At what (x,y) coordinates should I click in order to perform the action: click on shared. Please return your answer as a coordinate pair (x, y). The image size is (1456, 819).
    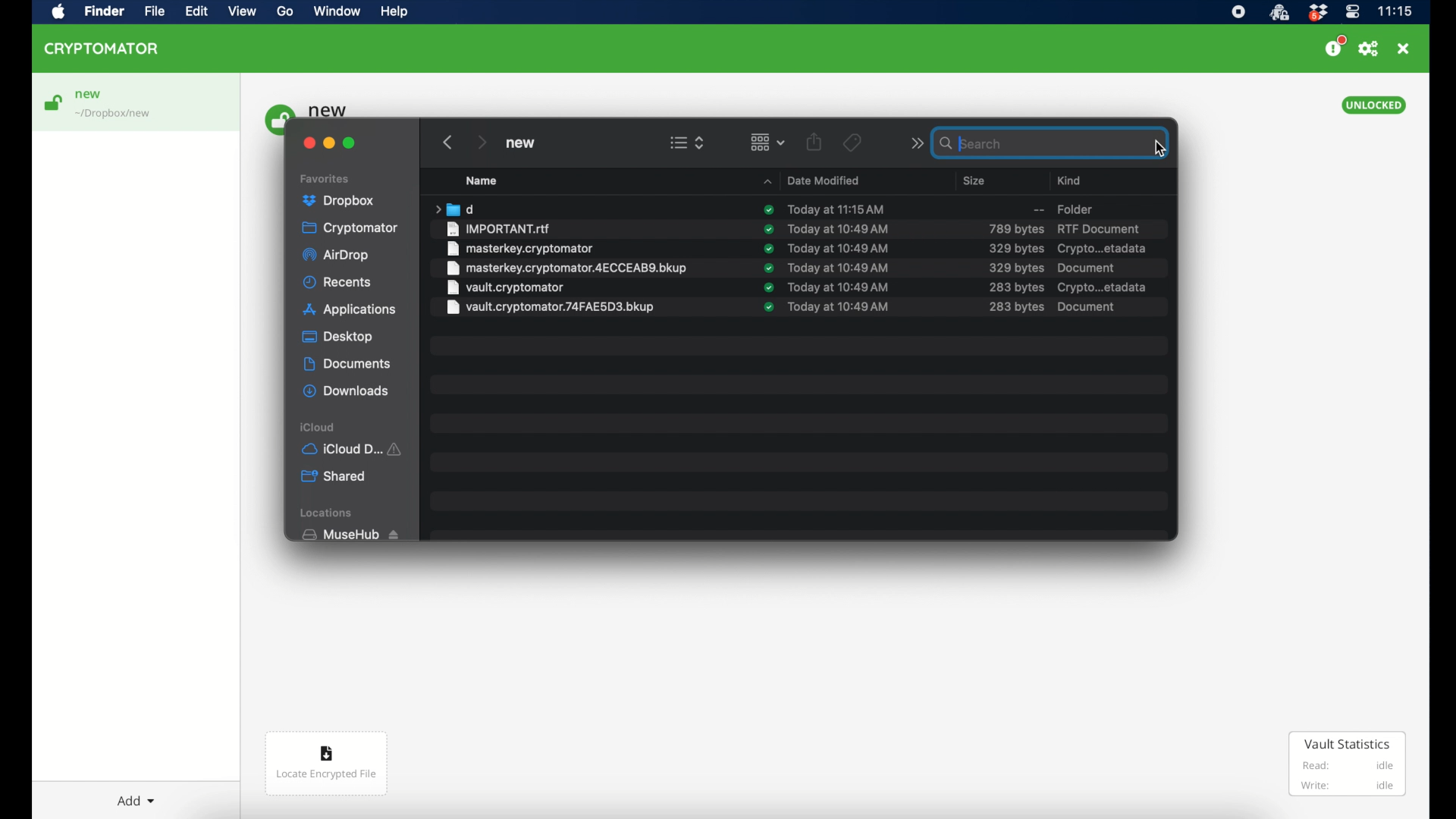
    Looking at the image, I should click on (334, 476).